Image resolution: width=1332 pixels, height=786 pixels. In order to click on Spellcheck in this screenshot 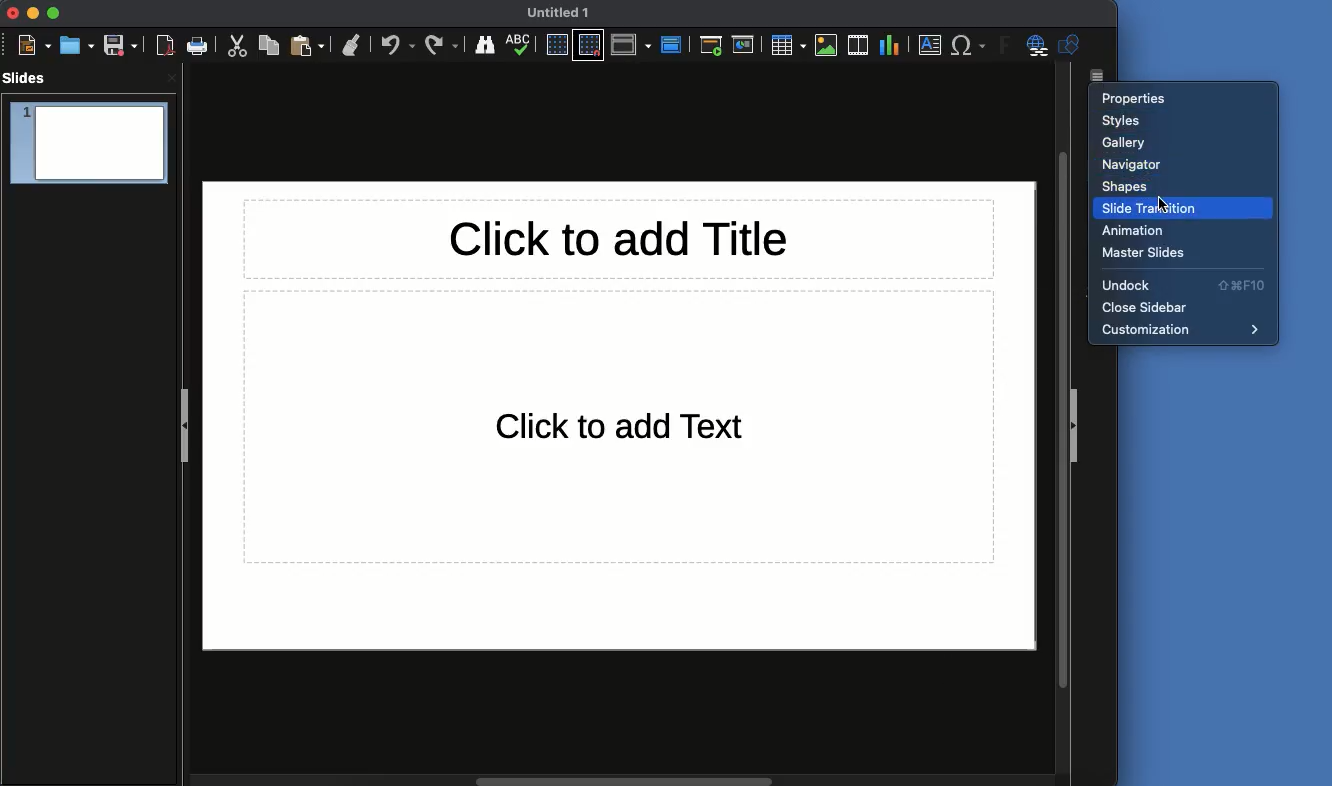, I will do `click(520, 44)`.